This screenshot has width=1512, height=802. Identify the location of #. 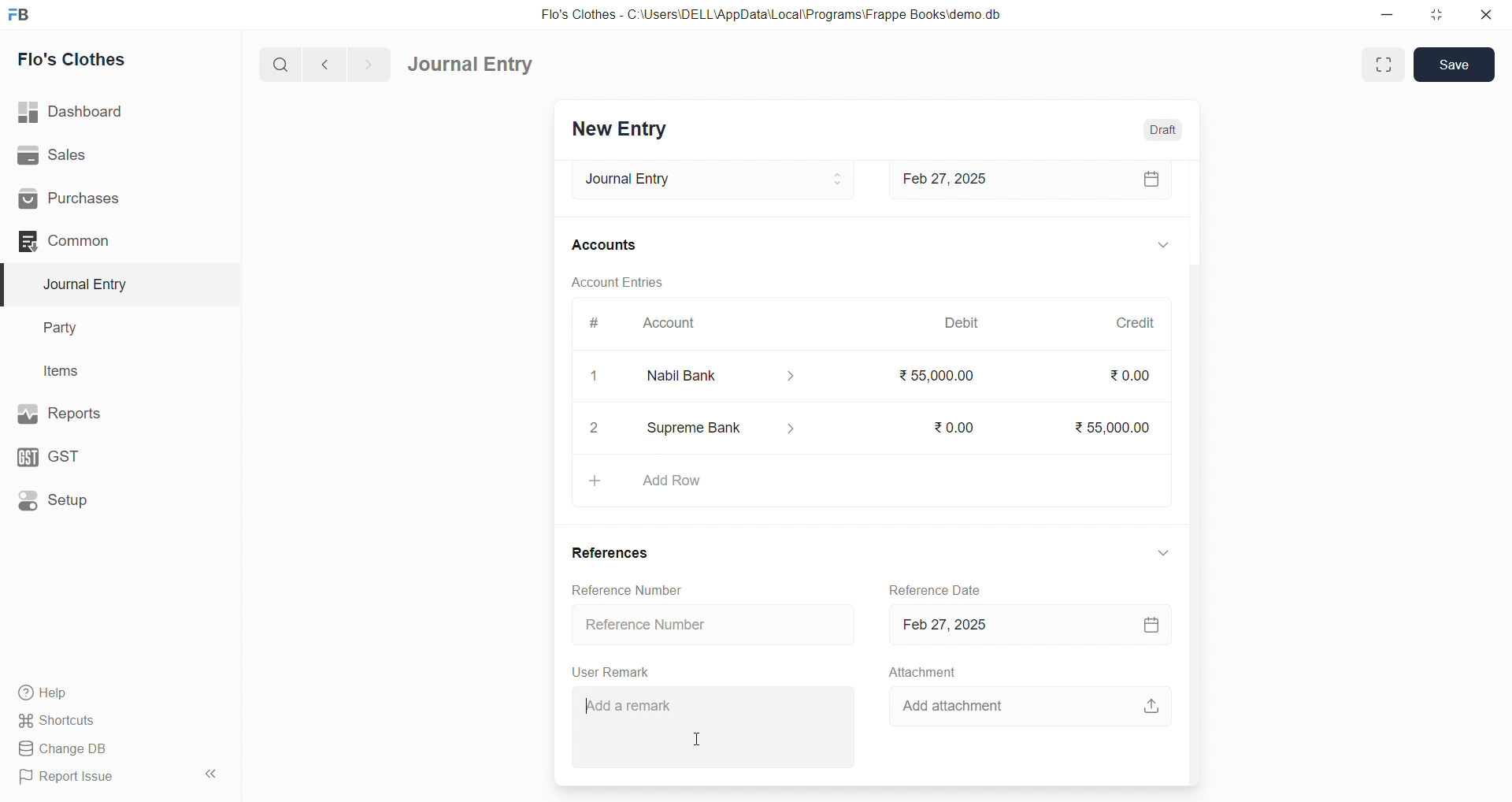
(596, 326).